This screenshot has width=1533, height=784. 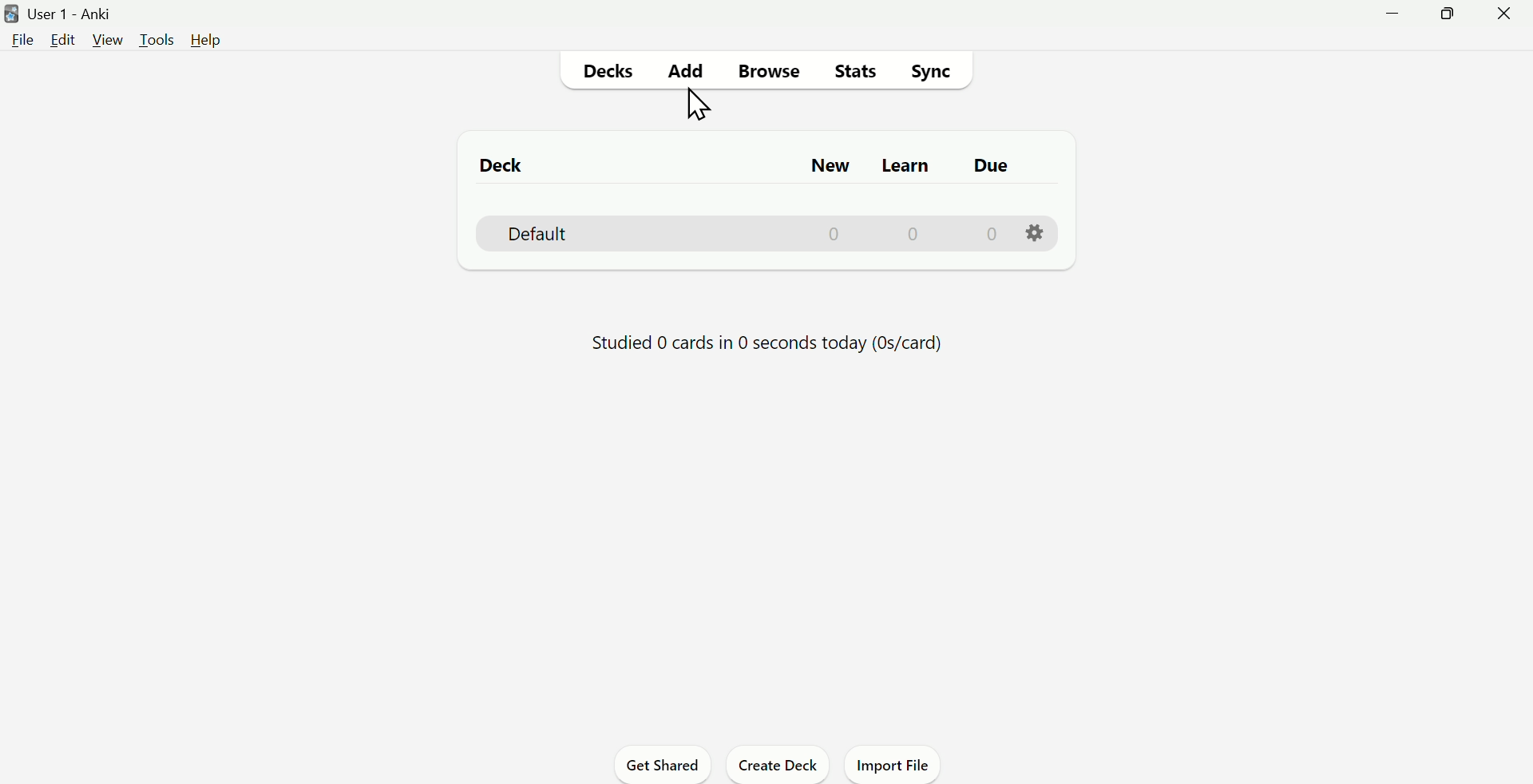 What do you see at coordinates (987, 166) in the screenshot?
I see `Due` at bounding box center [987, 166].